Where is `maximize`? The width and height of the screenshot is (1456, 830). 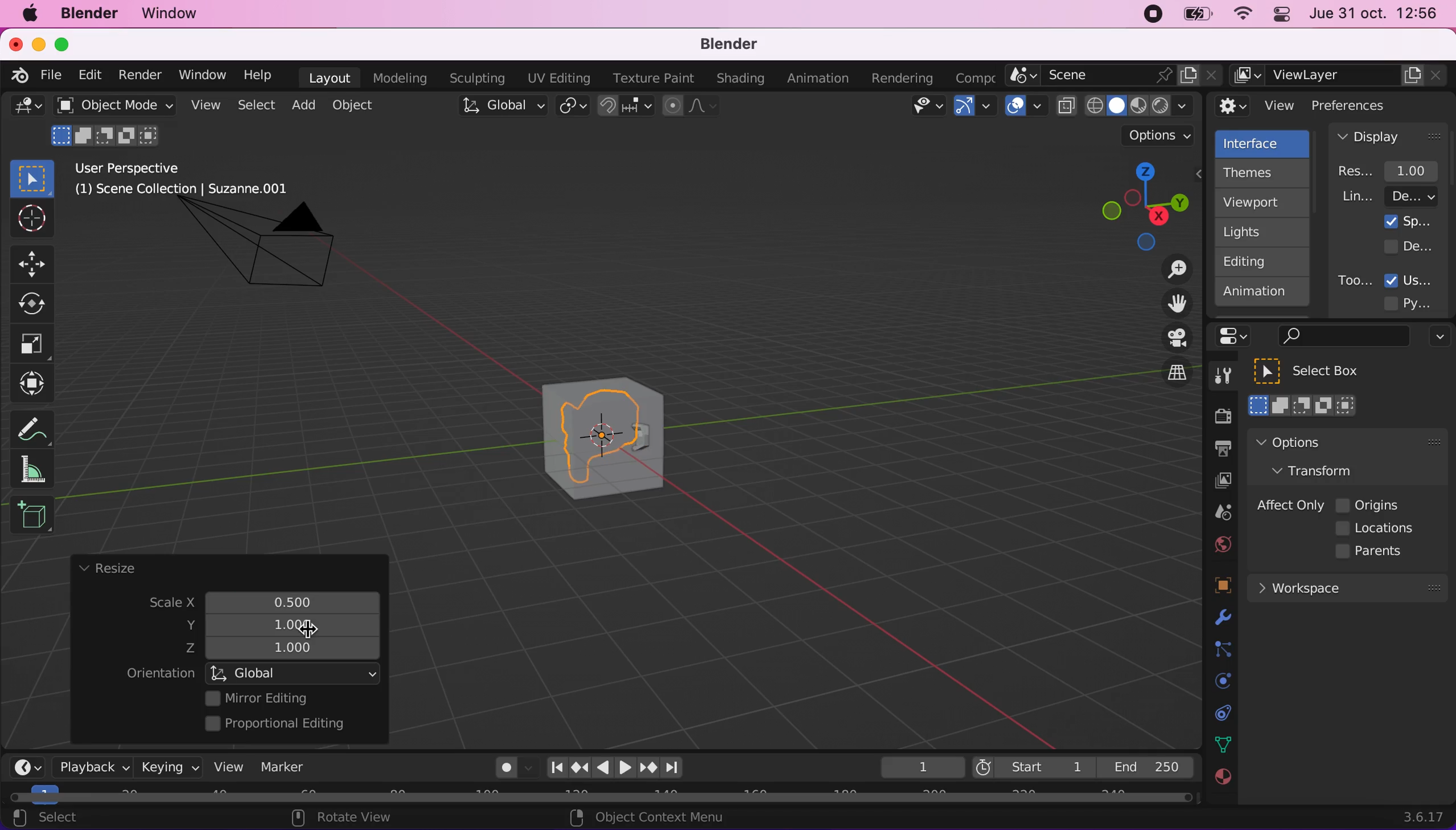 maximize is located at coordinates (68, 44).